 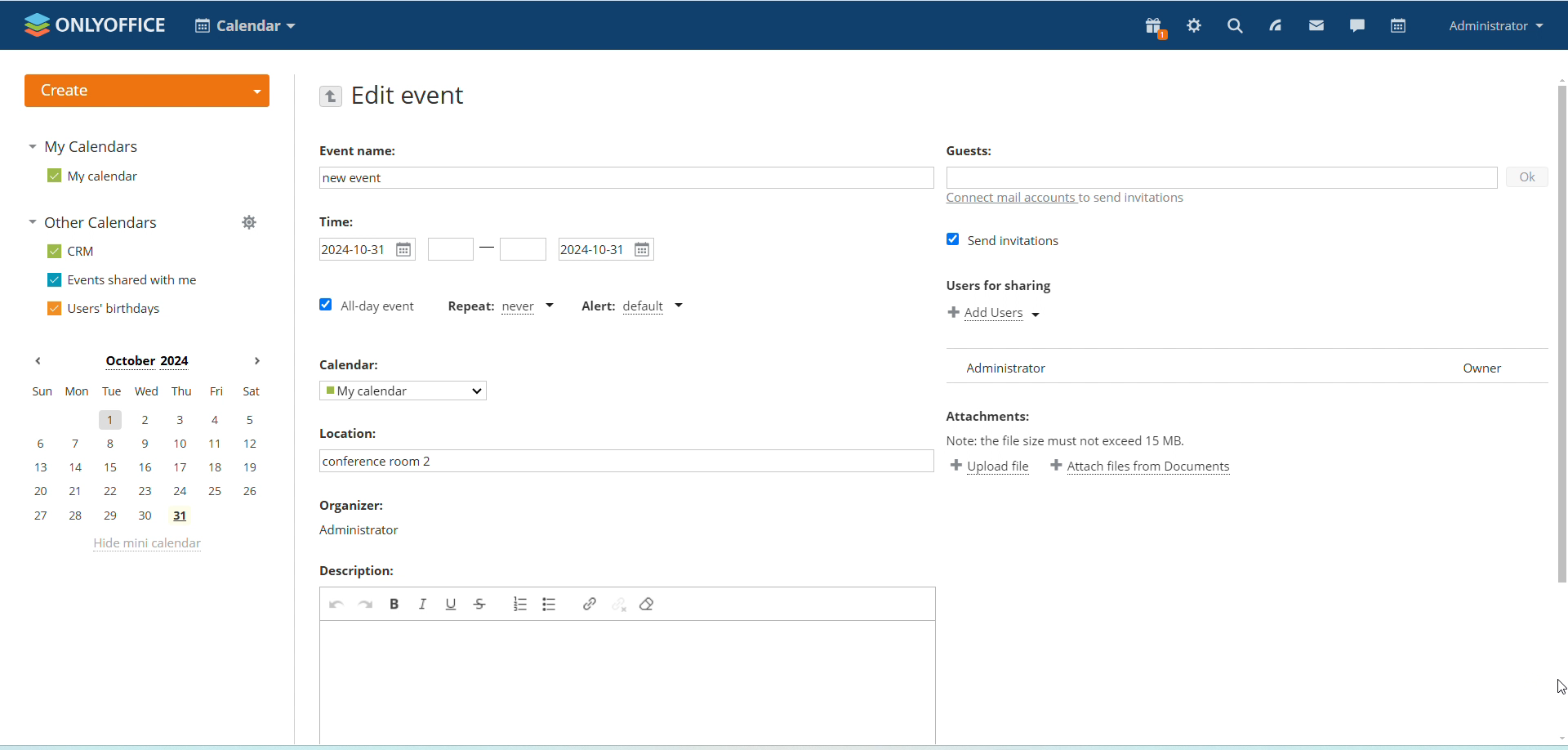 What do you see at coordinates (92, 176) in the screenshot?
I see `my calendar` at bounding box center [92, 176].